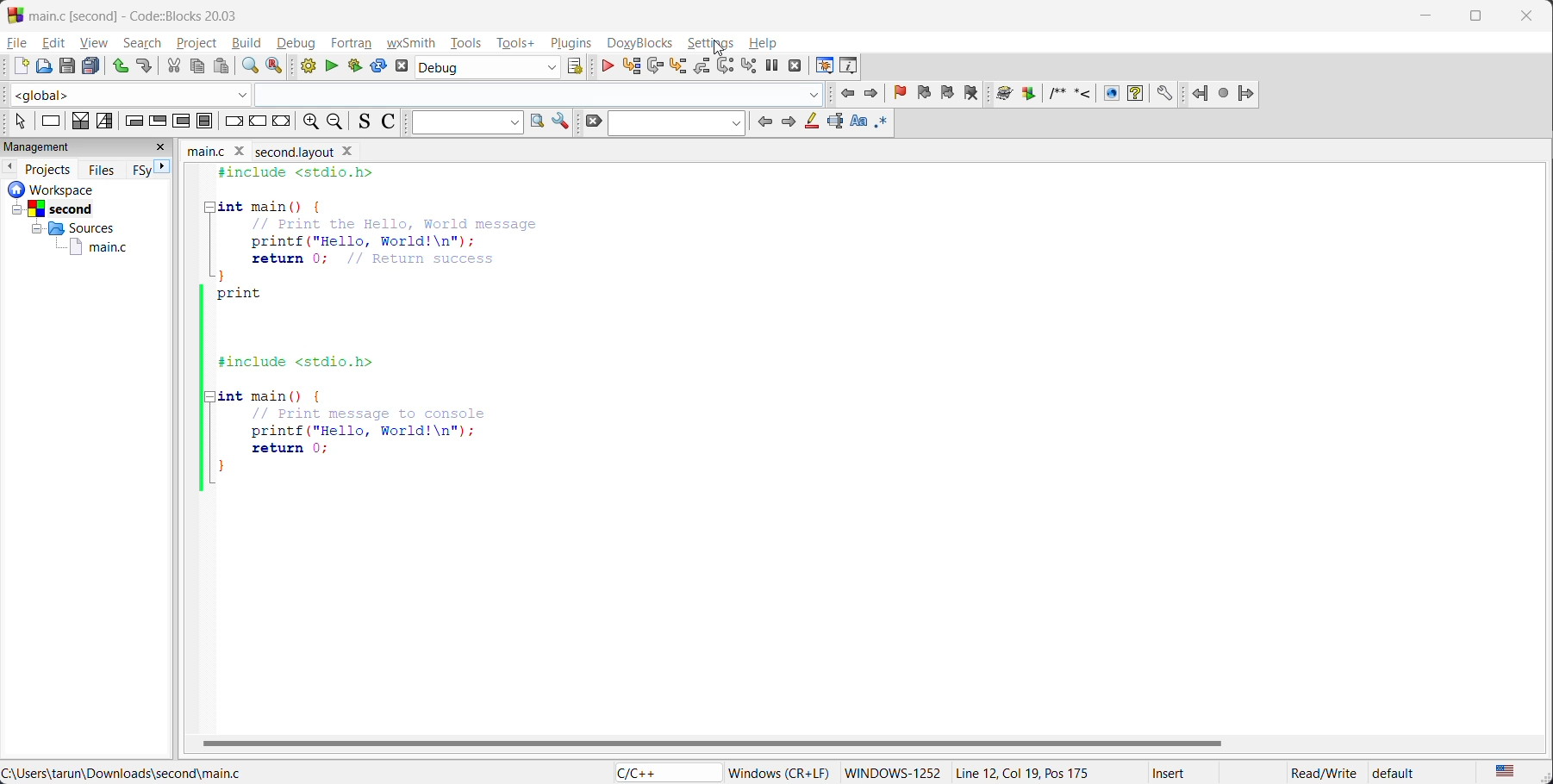 The width and height of the screenshot is (1553, 784). Describe the element at coordinates (789, 123) in the screenshot. I see `next` at that location.